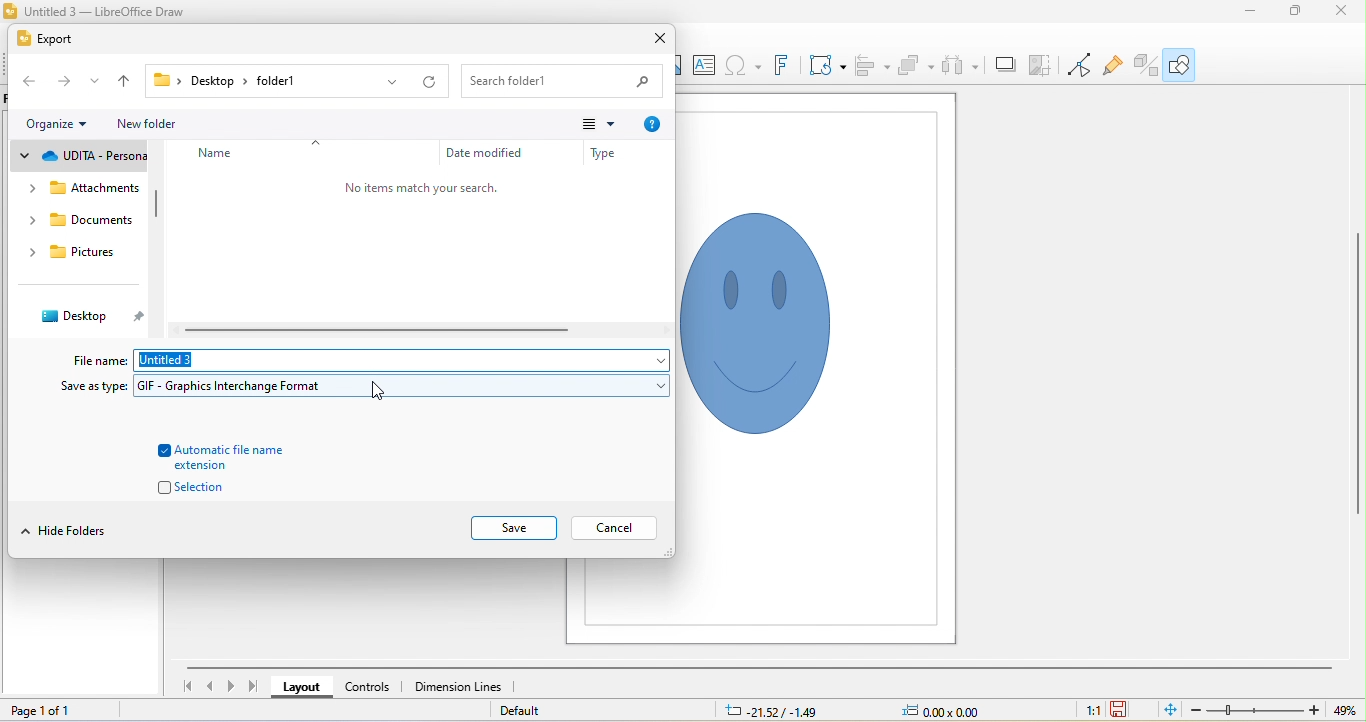  Describe the element at coordinates (606, 155) in the screenshot. I see `type` at that location.